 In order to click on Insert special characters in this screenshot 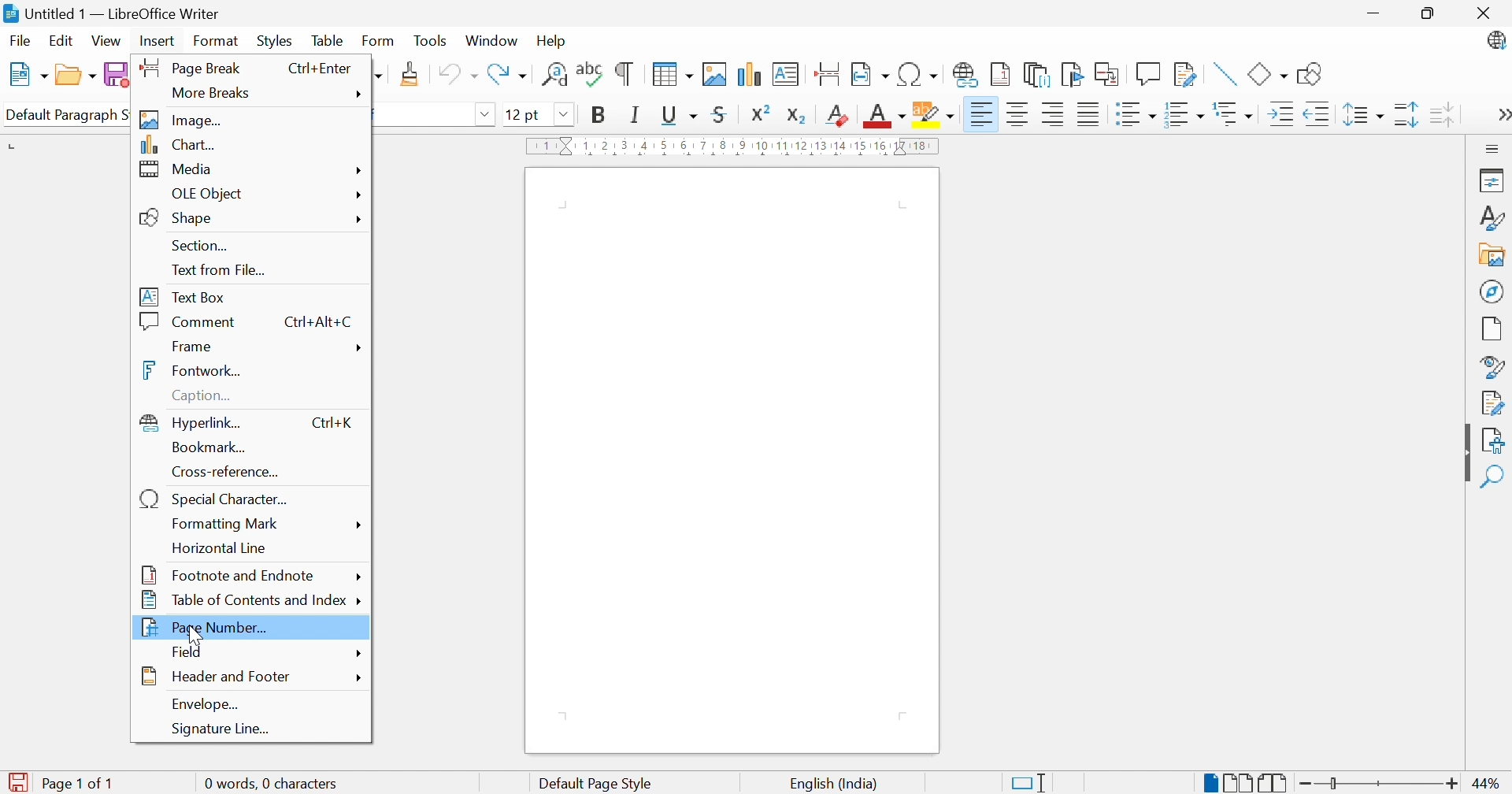, I will do `click(917, 75)`.